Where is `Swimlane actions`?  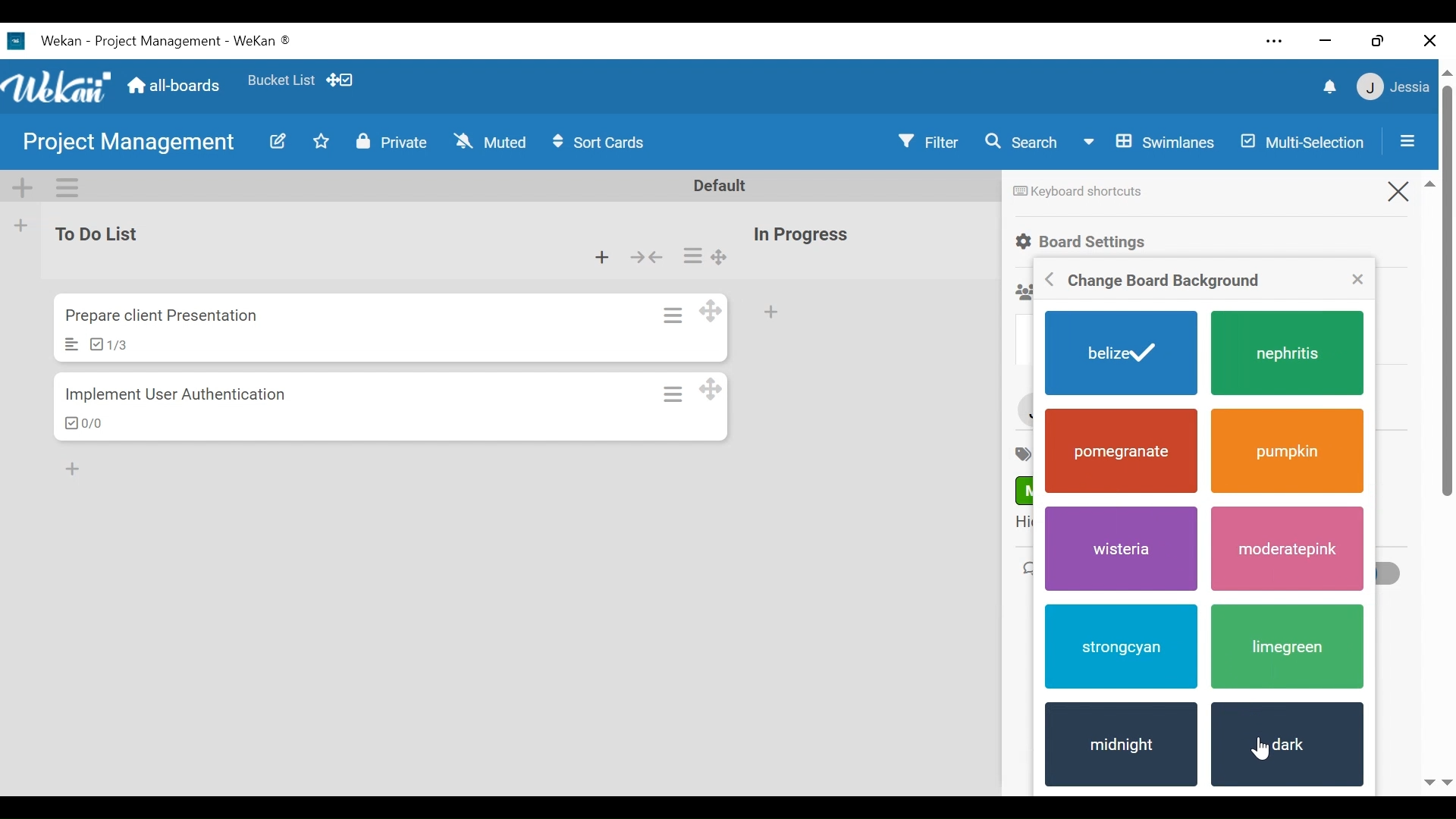
Swimlane actions is located at coordinates (67, 187).